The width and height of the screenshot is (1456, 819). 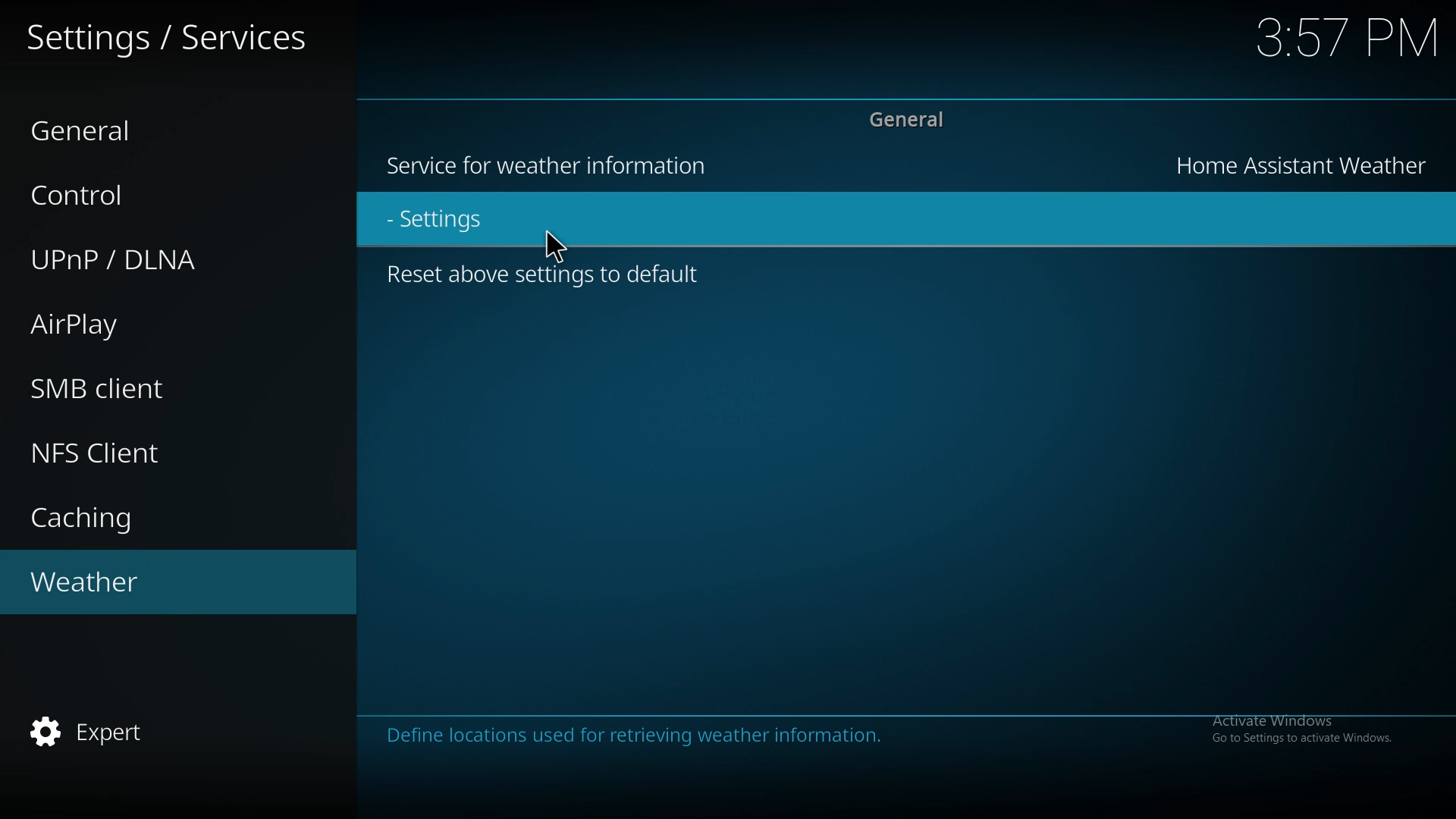 I want to click on Time, so click(x=1349, y=38).